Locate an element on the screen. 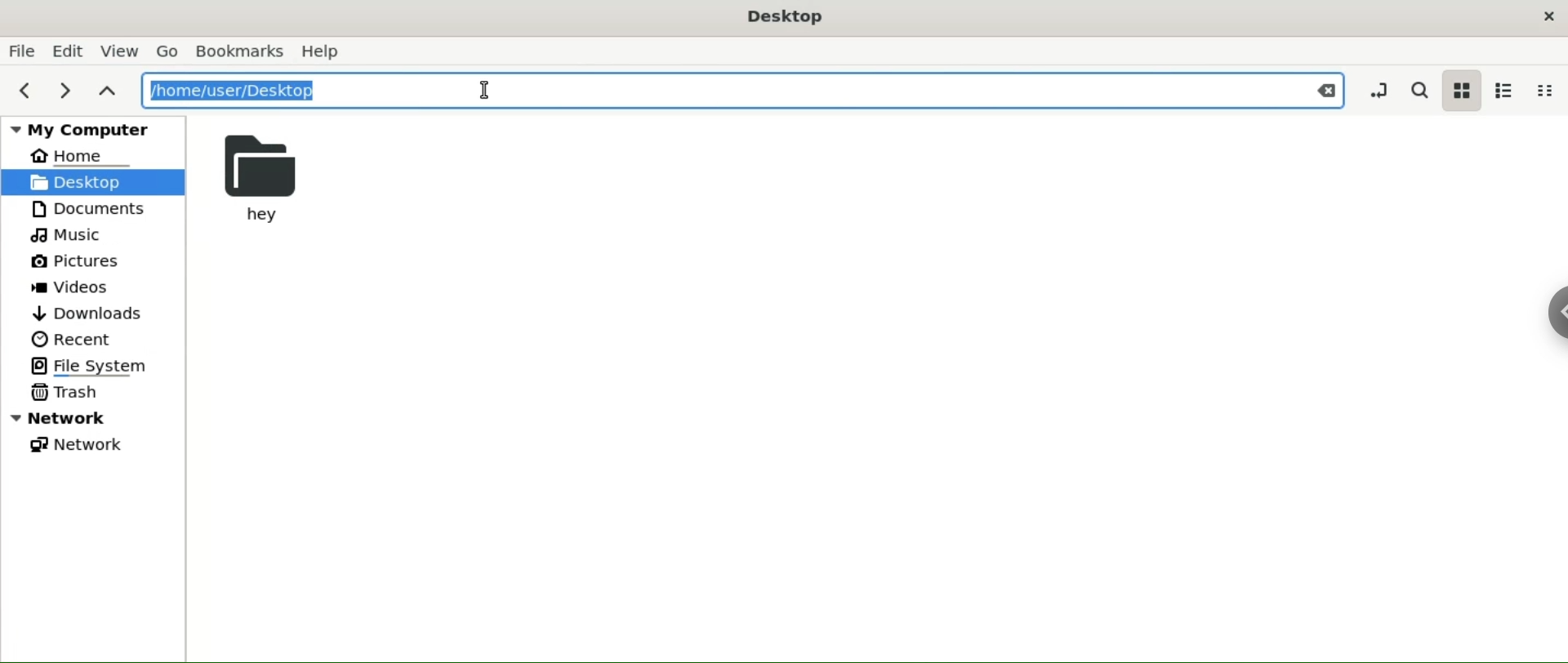 The image size is (1568, 663). search is located at coordinates (1419, 90).